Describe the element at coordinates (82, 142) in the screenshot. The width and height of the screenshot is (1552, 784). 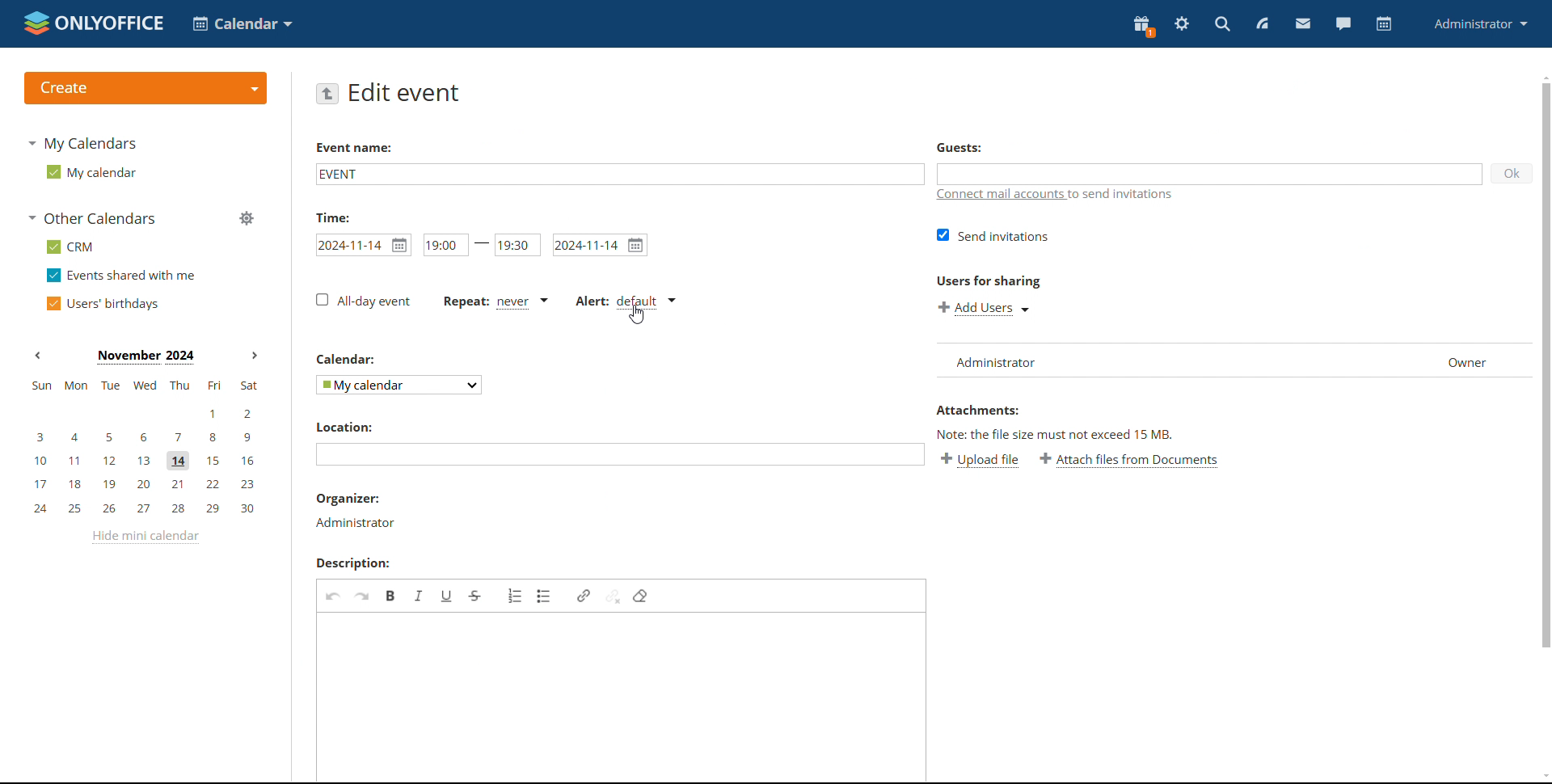
I see `my calendars` at that location.